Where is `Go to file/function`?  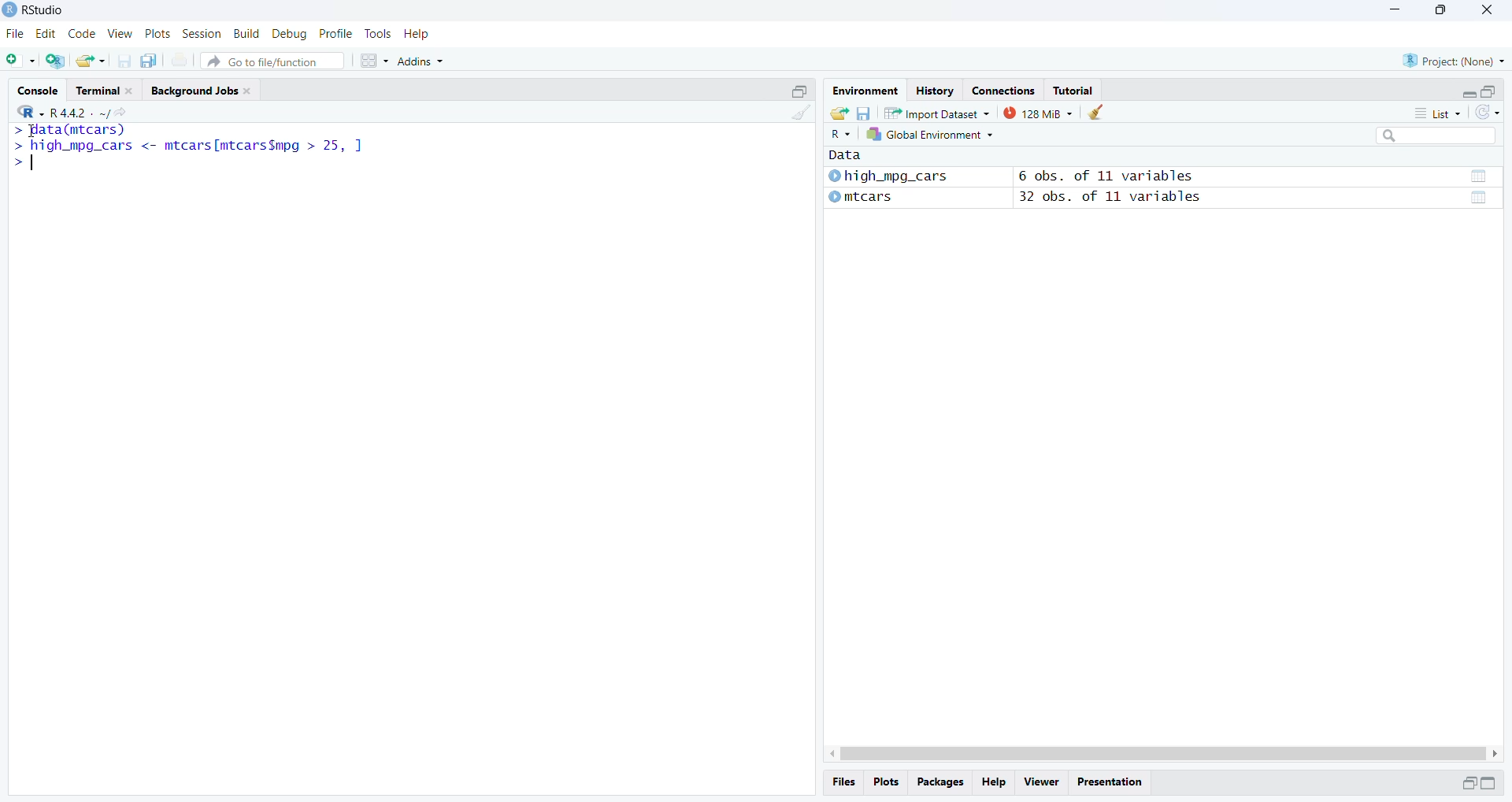
Go to file/function is located at coordinates (271, 61).